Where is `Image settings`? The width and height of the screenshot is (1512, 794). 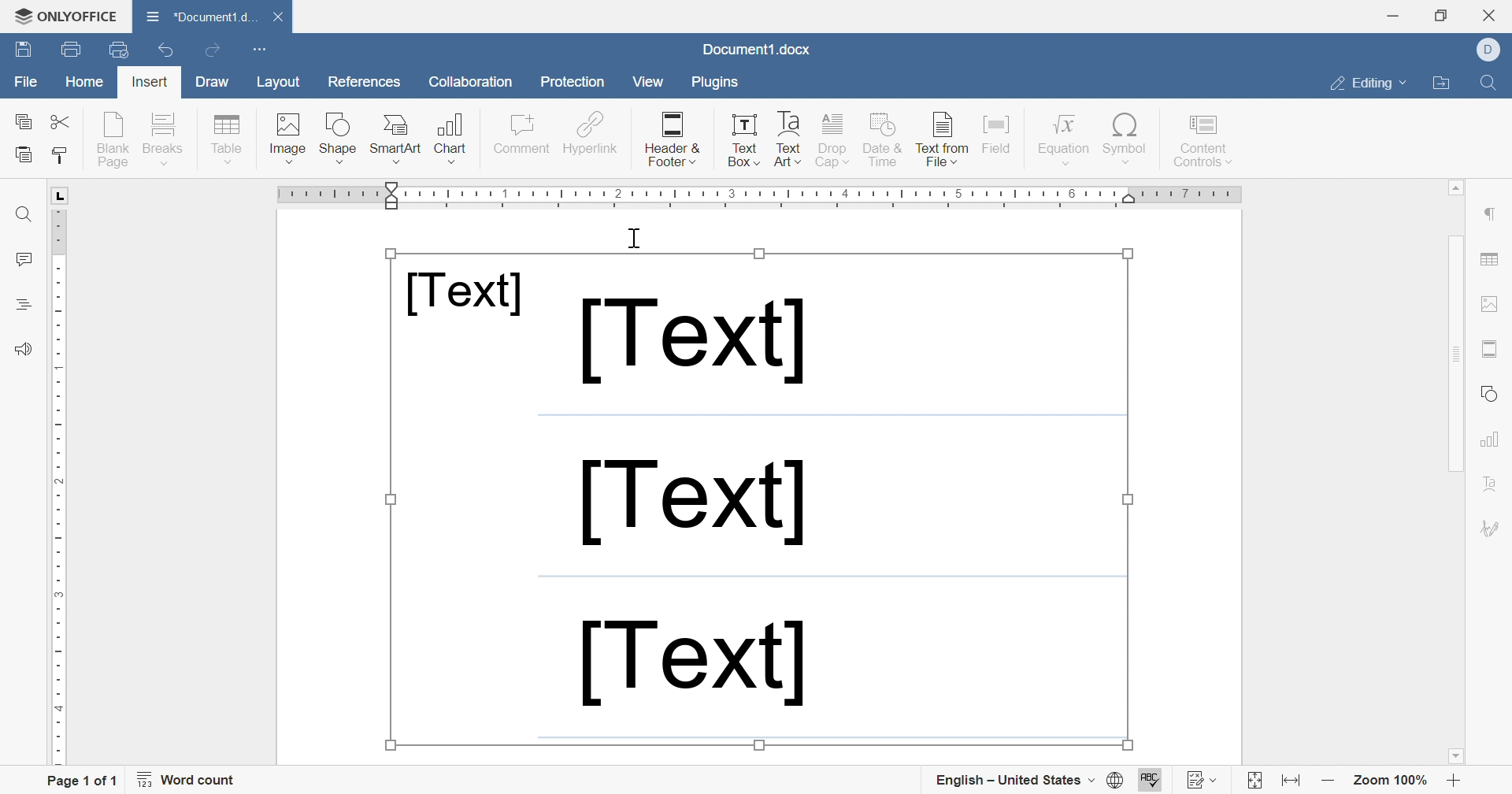 Image settings is located at coordinates (1491, 303).